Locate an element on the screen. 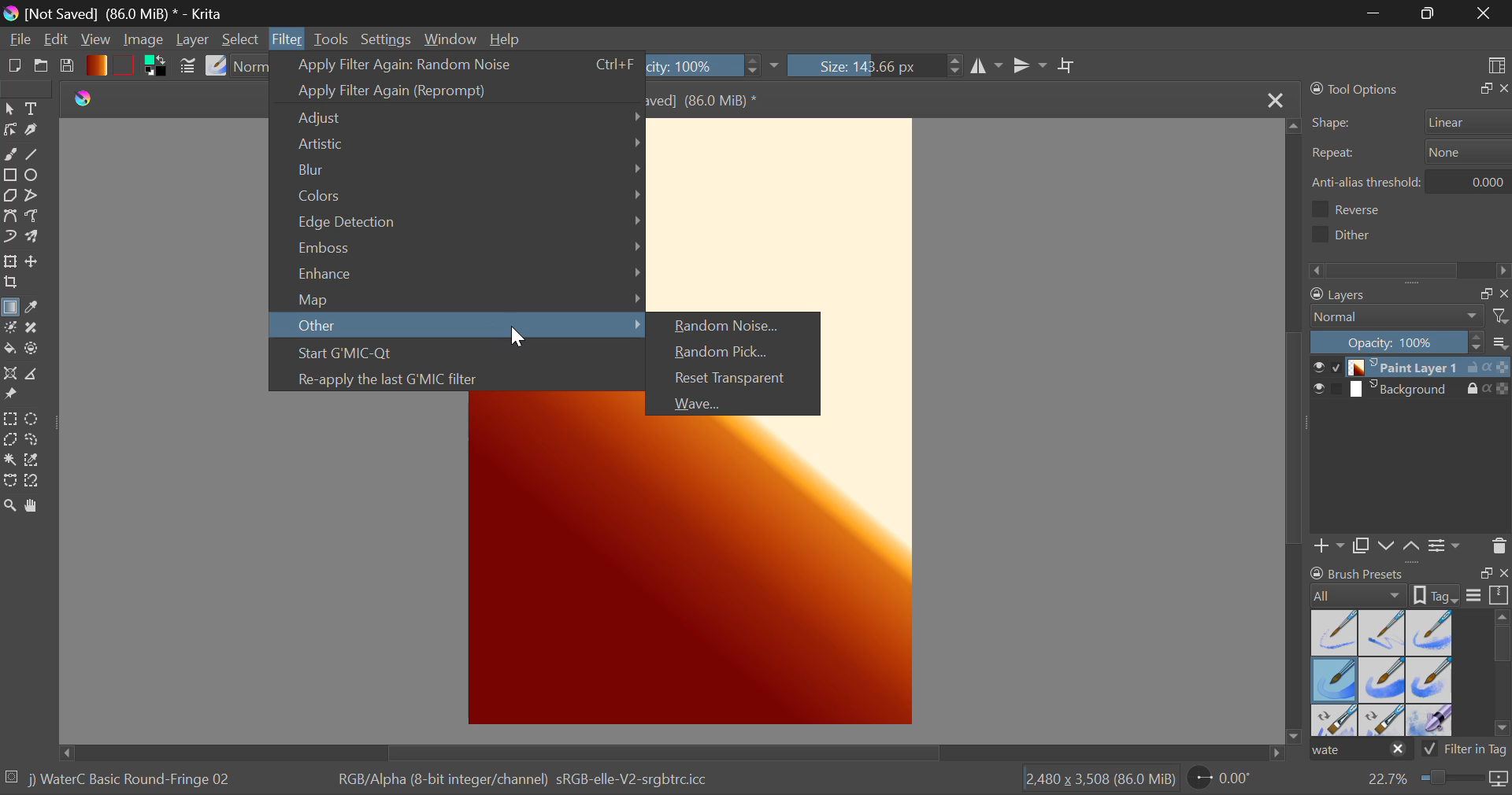  rgb/alpha(8-bit integer/channel) srgb-elle-v2-srgbtrc.icc is located at coordinates (533, 784).